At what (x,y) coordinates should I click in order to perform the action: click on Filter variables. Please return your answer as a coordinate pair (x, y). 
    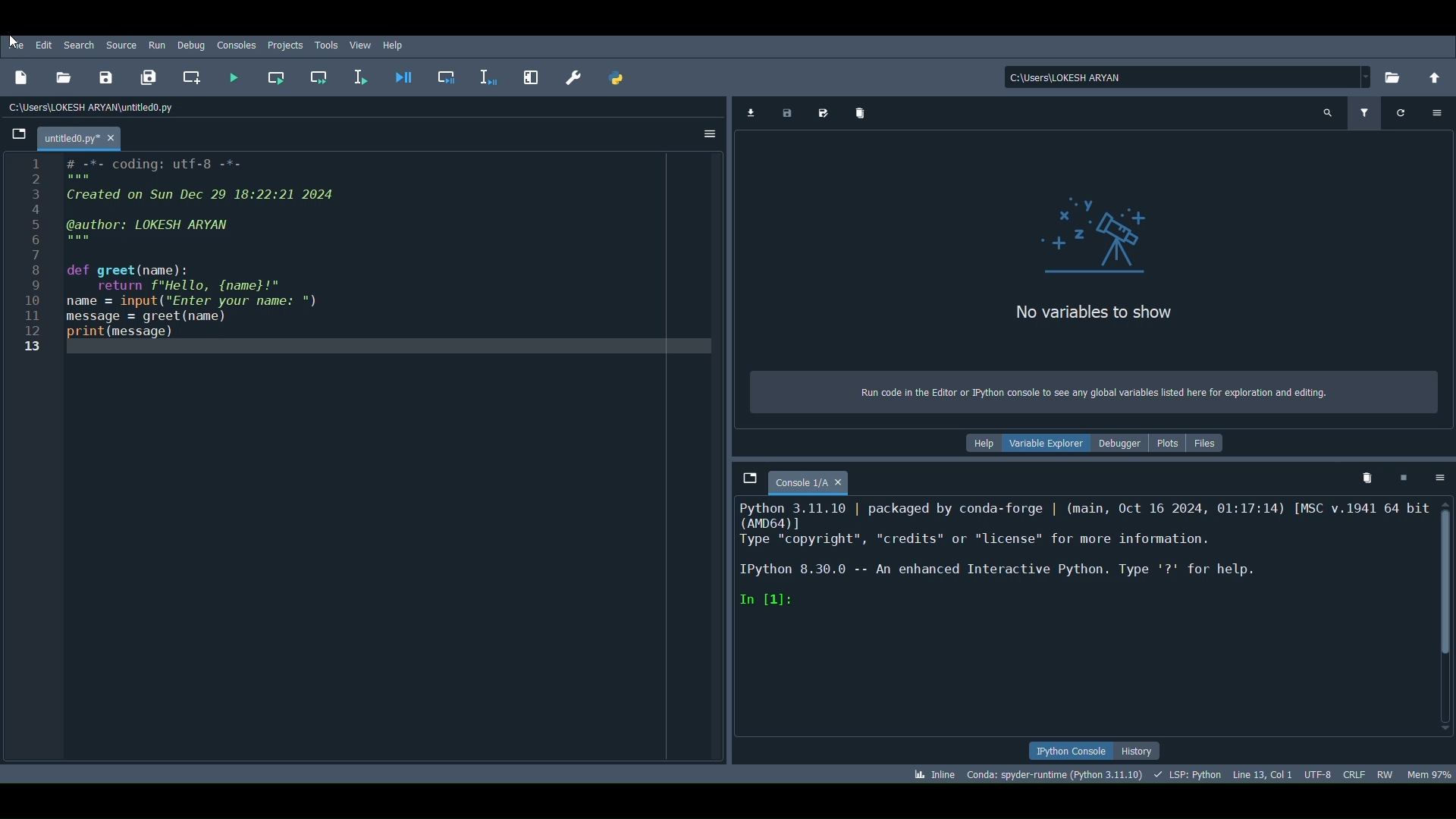
    Looking at the image, I should click on (1362, 112).